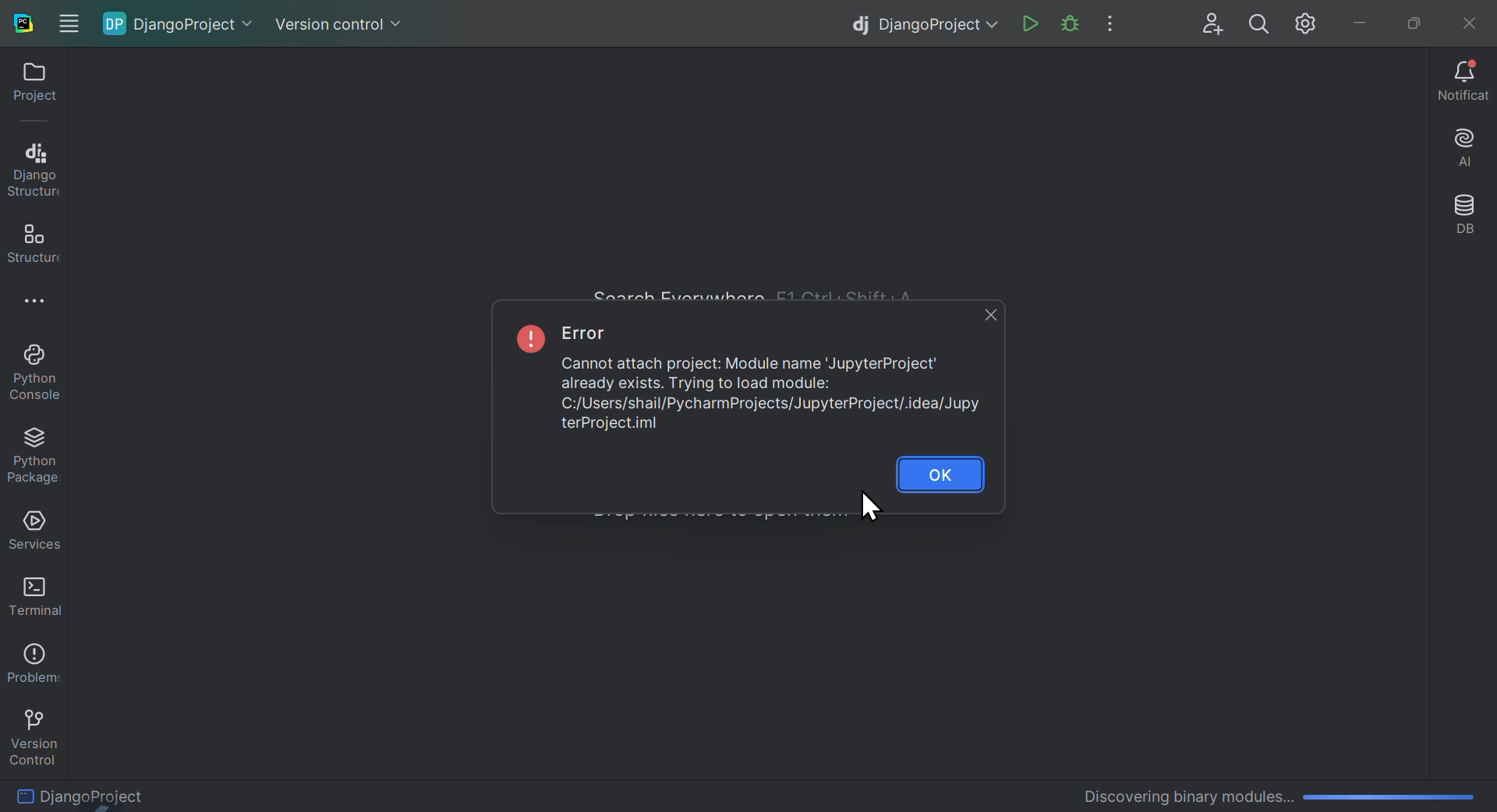  What do you see at coordinates (183, 24) in the screenshot?
I see `Django project` at bounding box center [183, 24].